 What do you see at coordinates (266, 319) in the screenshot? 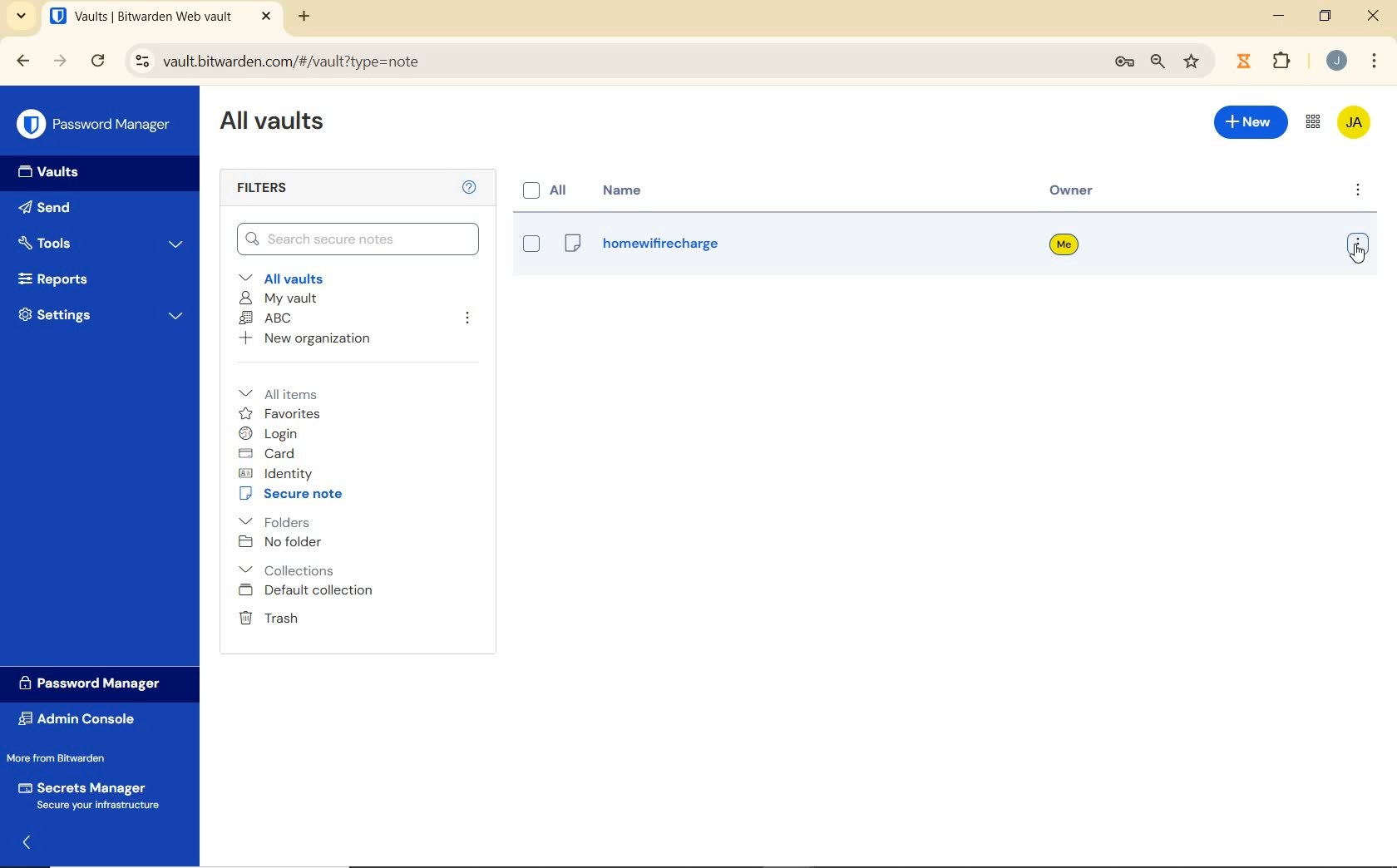
I see `ABC` at bounding box center [266, 319].